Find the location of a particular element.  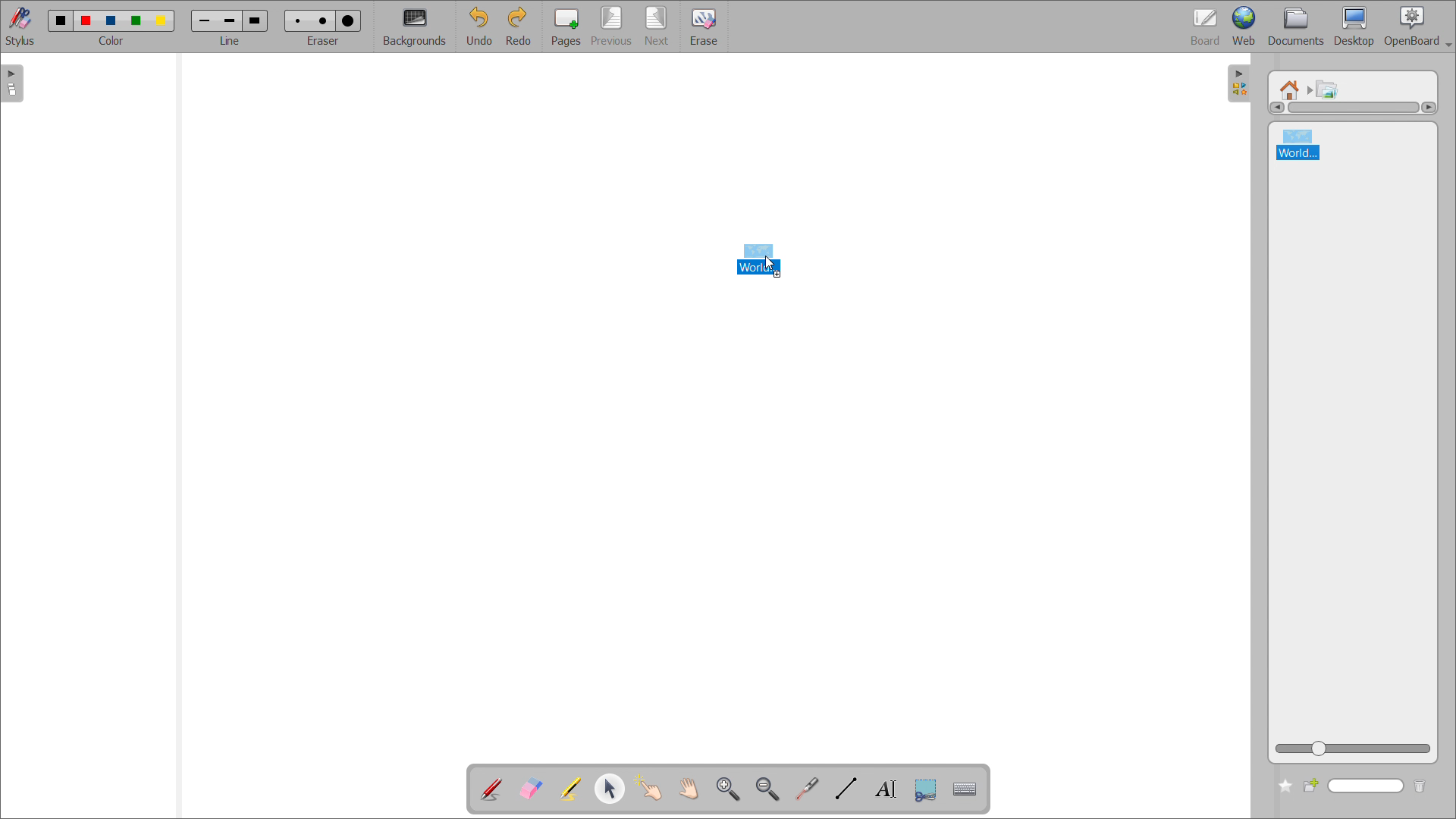

redo is located at coordinates (518, 27).